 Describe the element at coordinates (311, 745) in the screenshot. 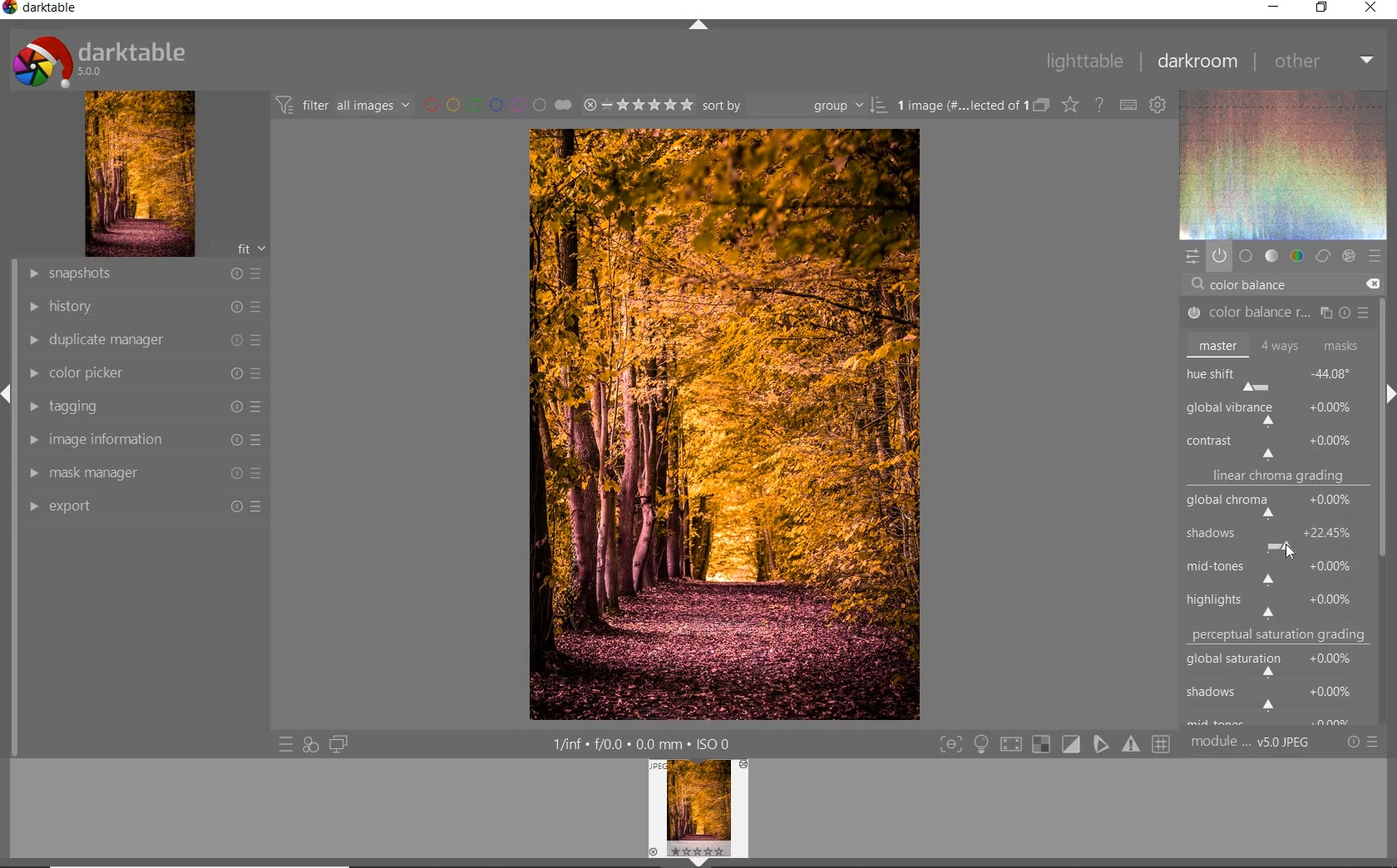

I see `quick access for applying any style` at that location.